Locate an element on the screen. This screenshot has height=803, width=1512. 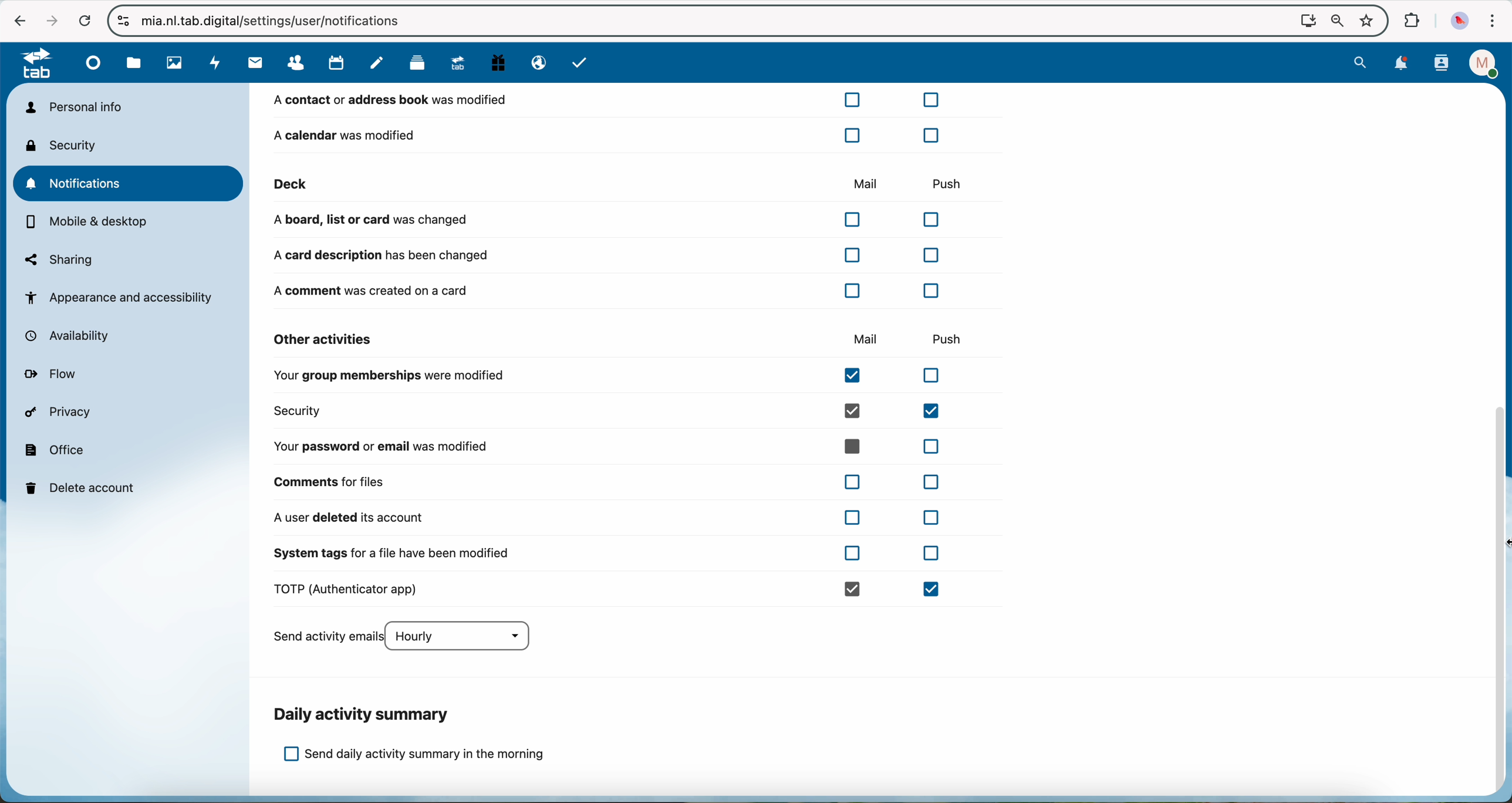
delete account is located at coordinates (83, 487).